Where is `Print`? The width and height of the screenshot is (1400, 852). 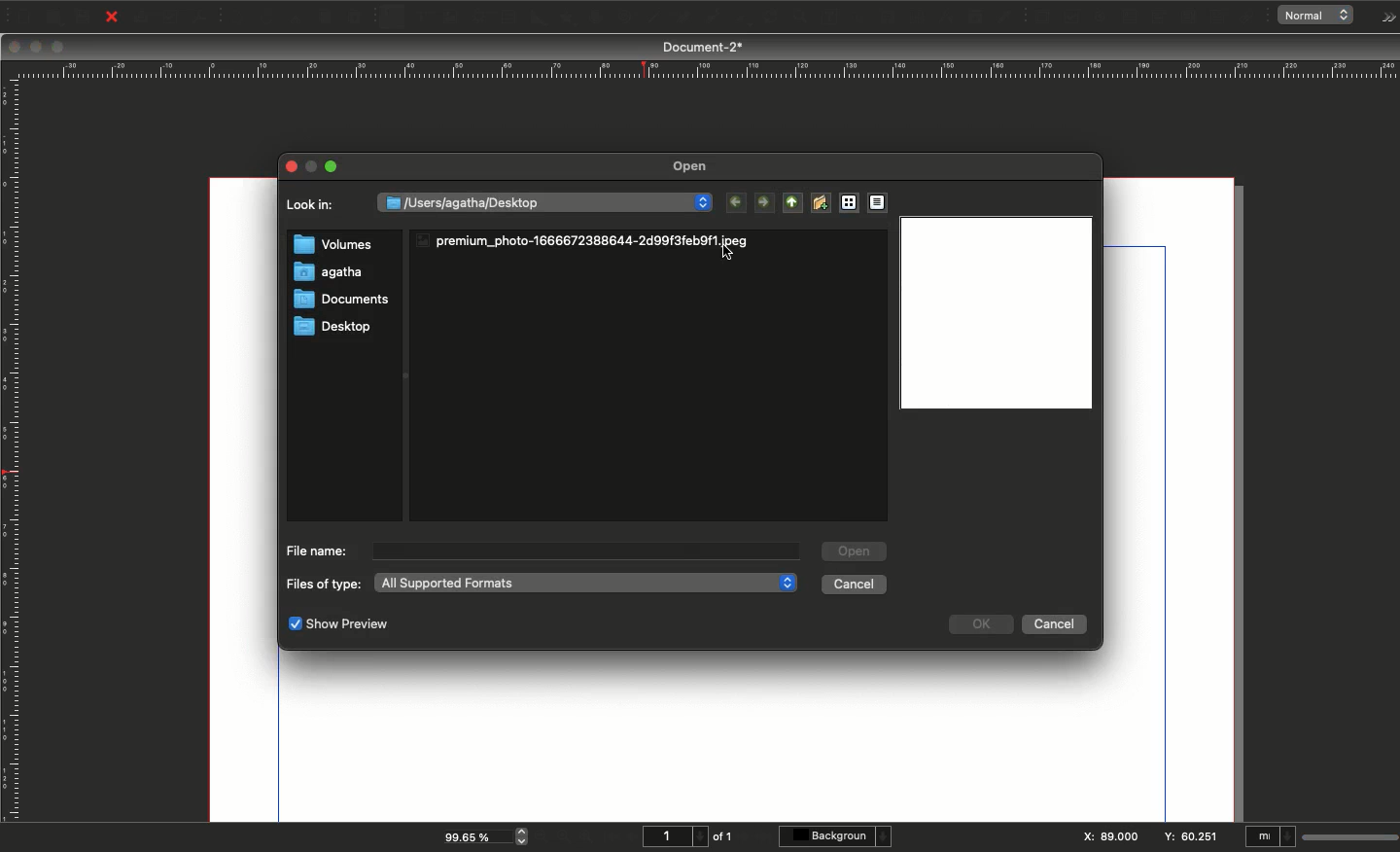
Print is located at coordinates (142, 18).